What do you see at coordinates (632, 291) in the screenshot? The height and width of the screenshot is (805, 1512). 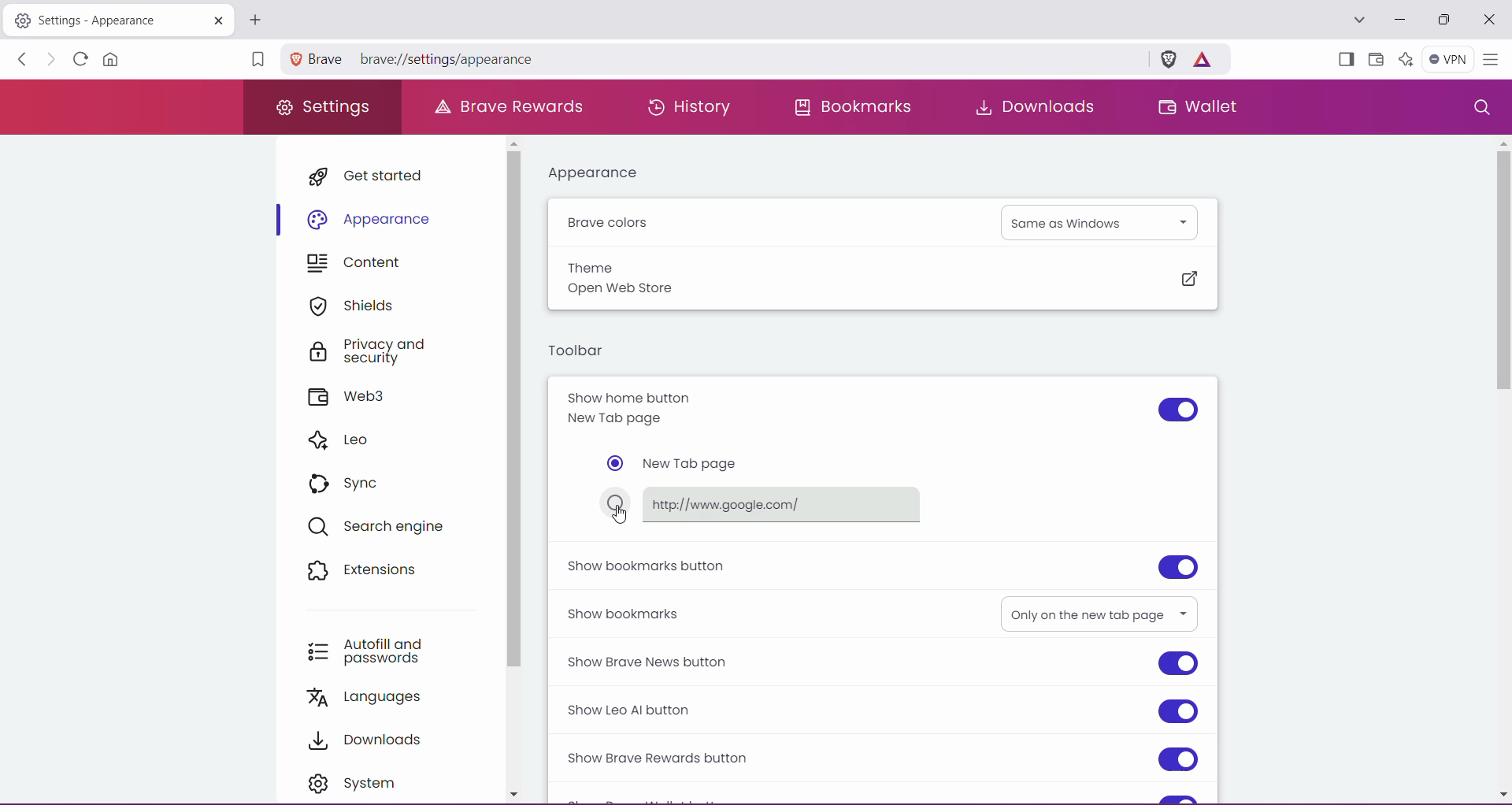 I see `Open Web Store` at bounding box center [632, 291].